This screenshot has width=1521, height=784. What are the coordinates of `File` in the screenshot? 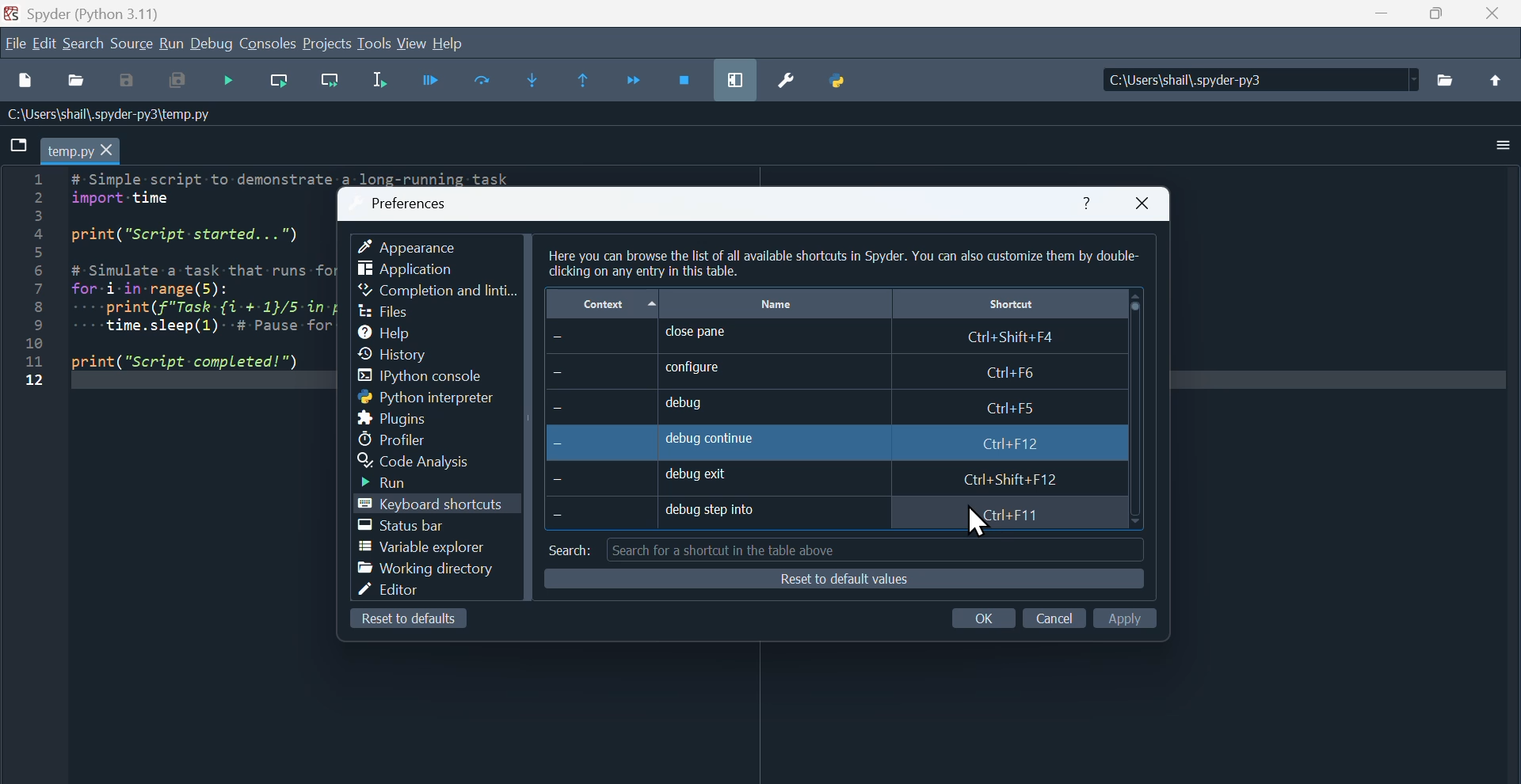 It's located at (20, 145).